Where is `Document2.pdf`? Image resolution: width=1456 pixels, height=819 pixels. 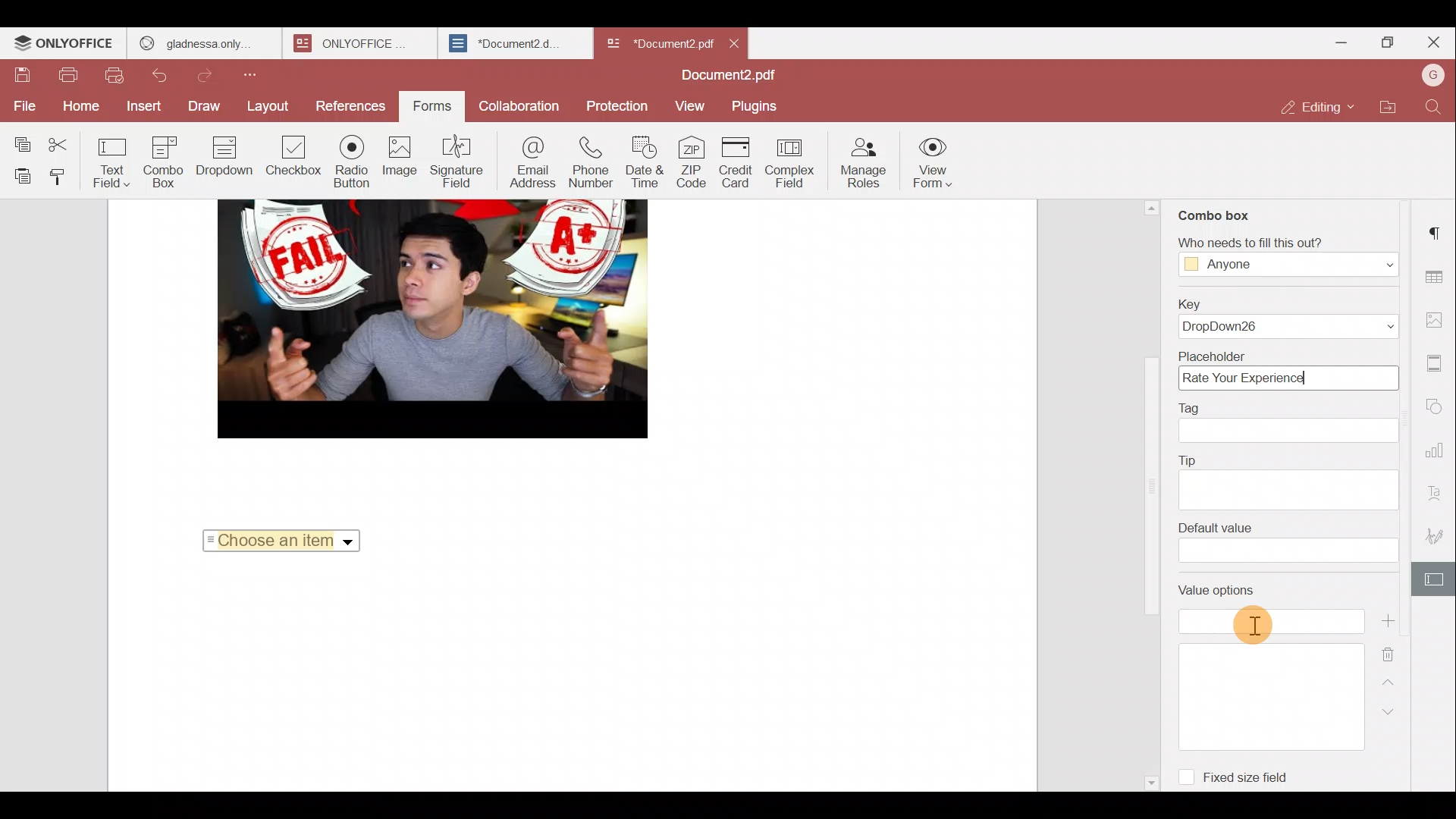
Document2.pdf is located at coordinates (728, 75).